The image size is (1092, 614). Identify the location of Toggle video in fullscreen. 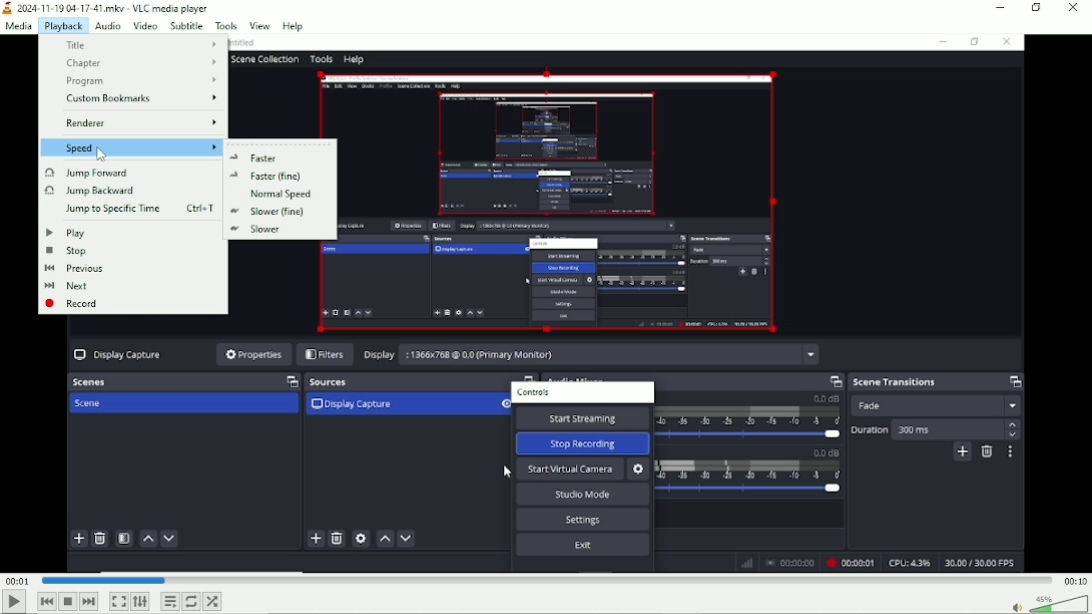
(119, 602).